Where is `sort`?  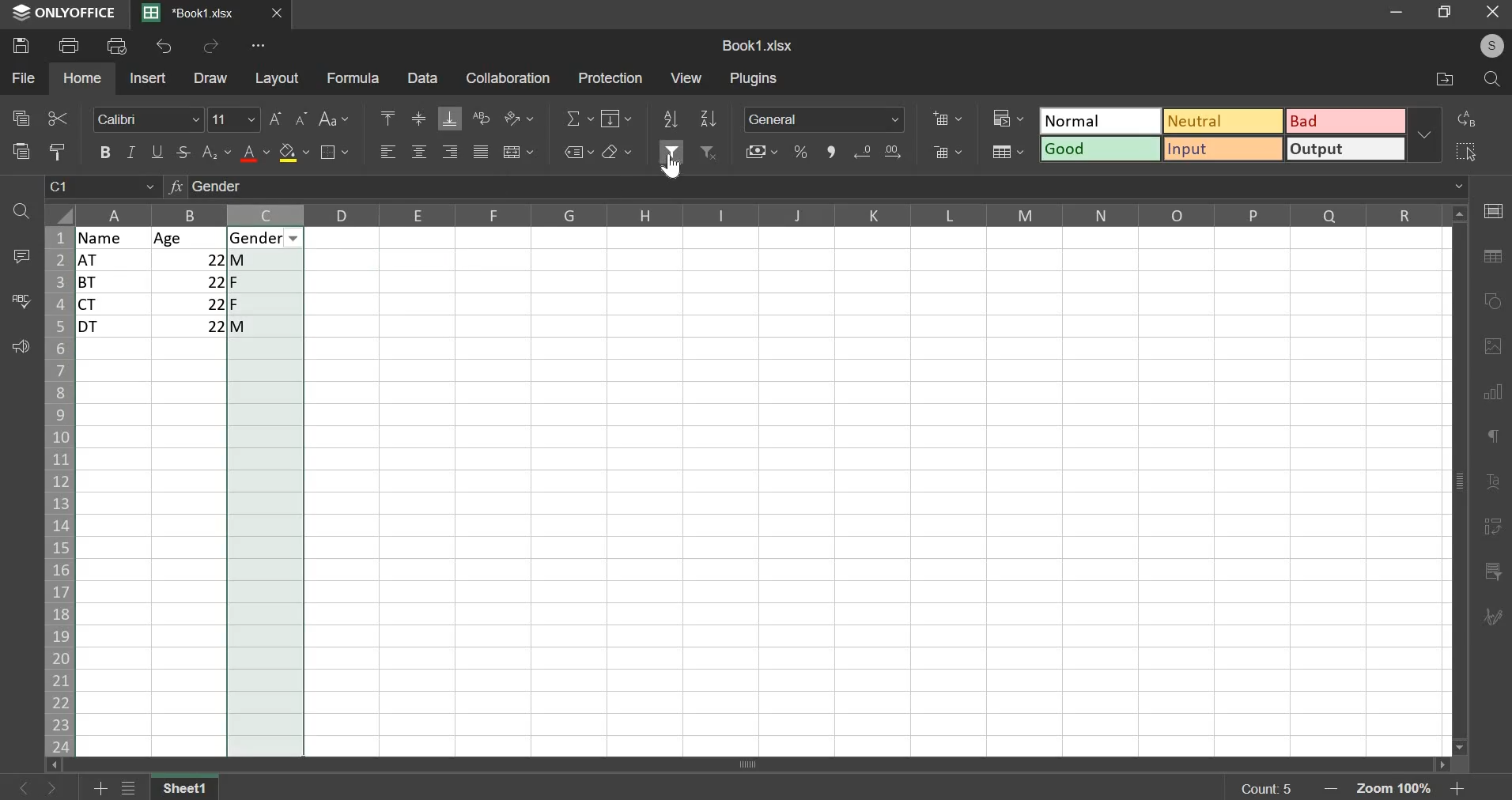
sort is located at coordinates (709, 118).